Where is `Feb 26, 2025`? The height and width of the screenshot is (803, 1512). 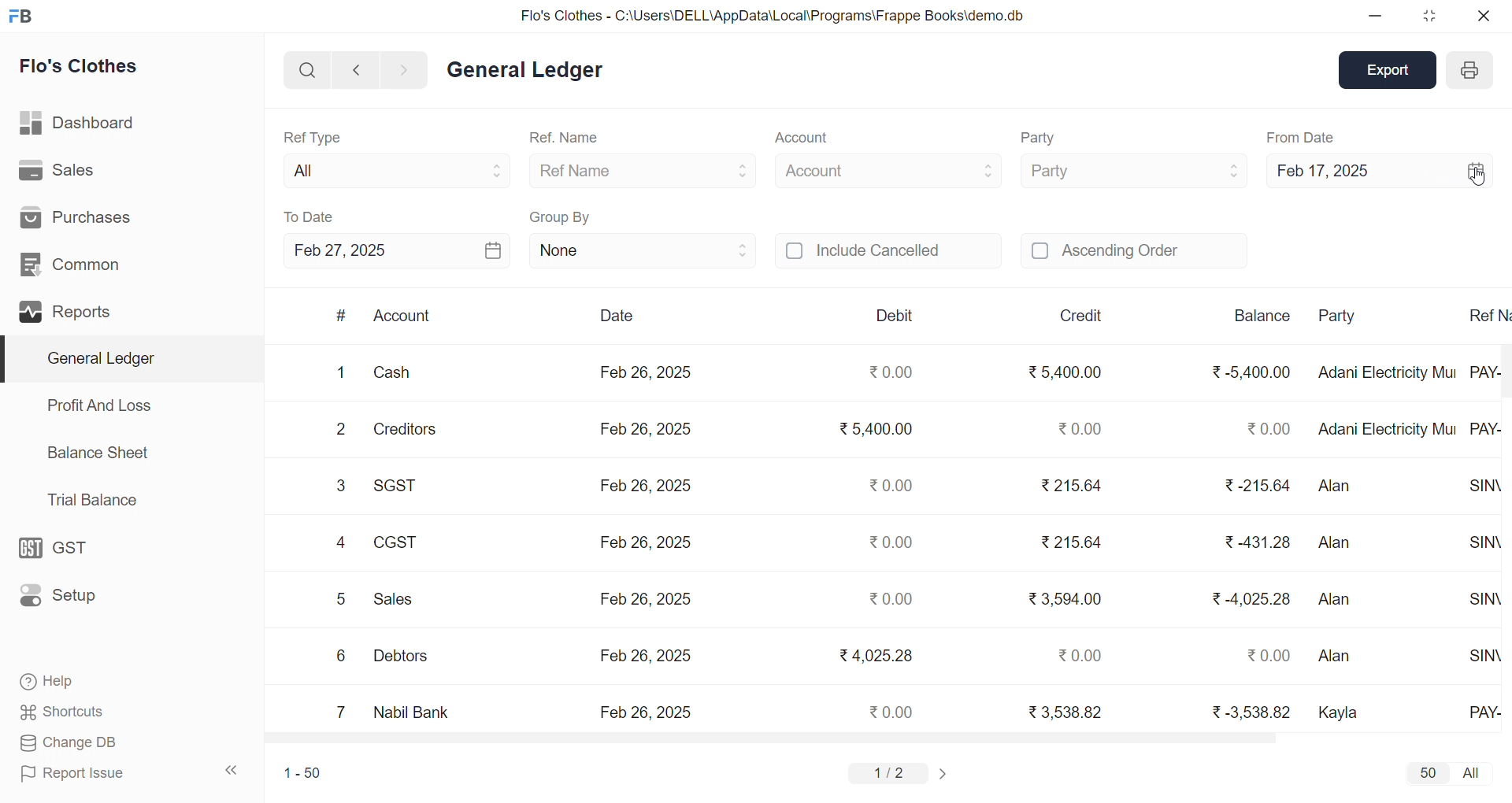 Feb 26, 2025 is located at coordinates (646, 543).